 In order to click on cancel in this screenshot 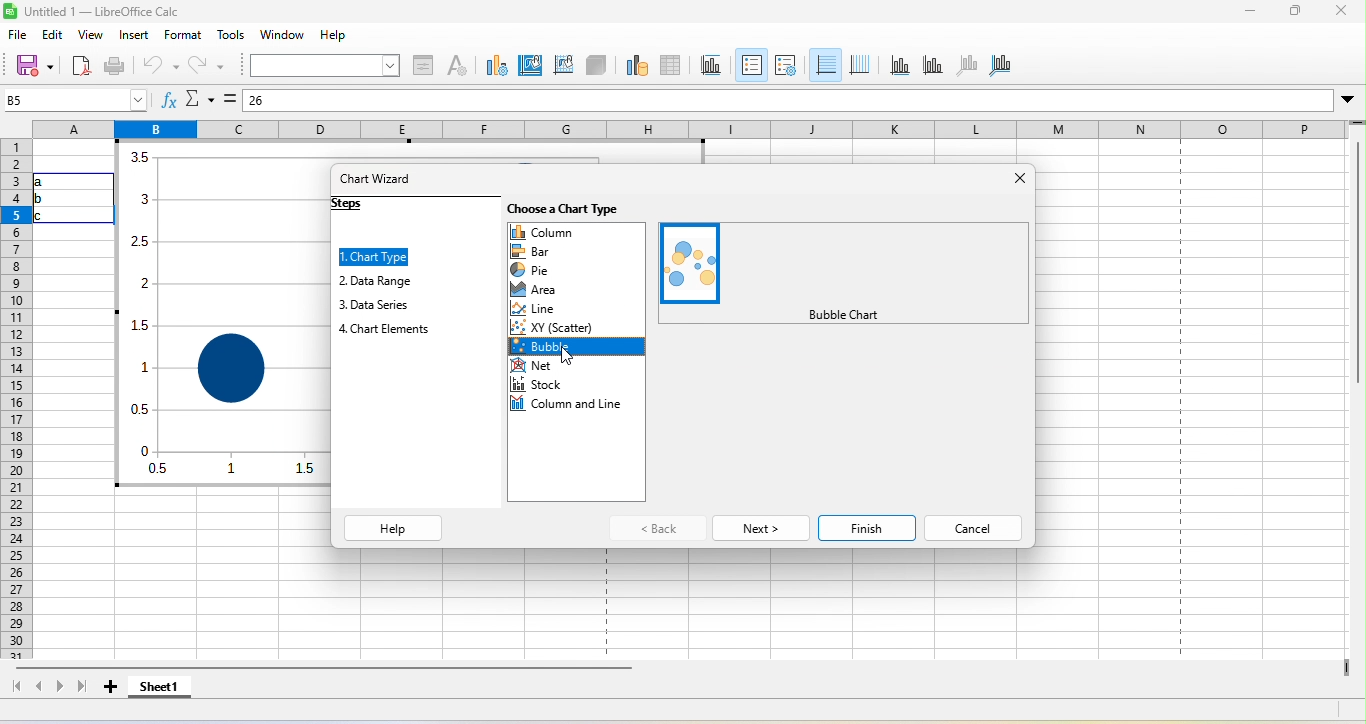, I will do `click(976, 524)`.